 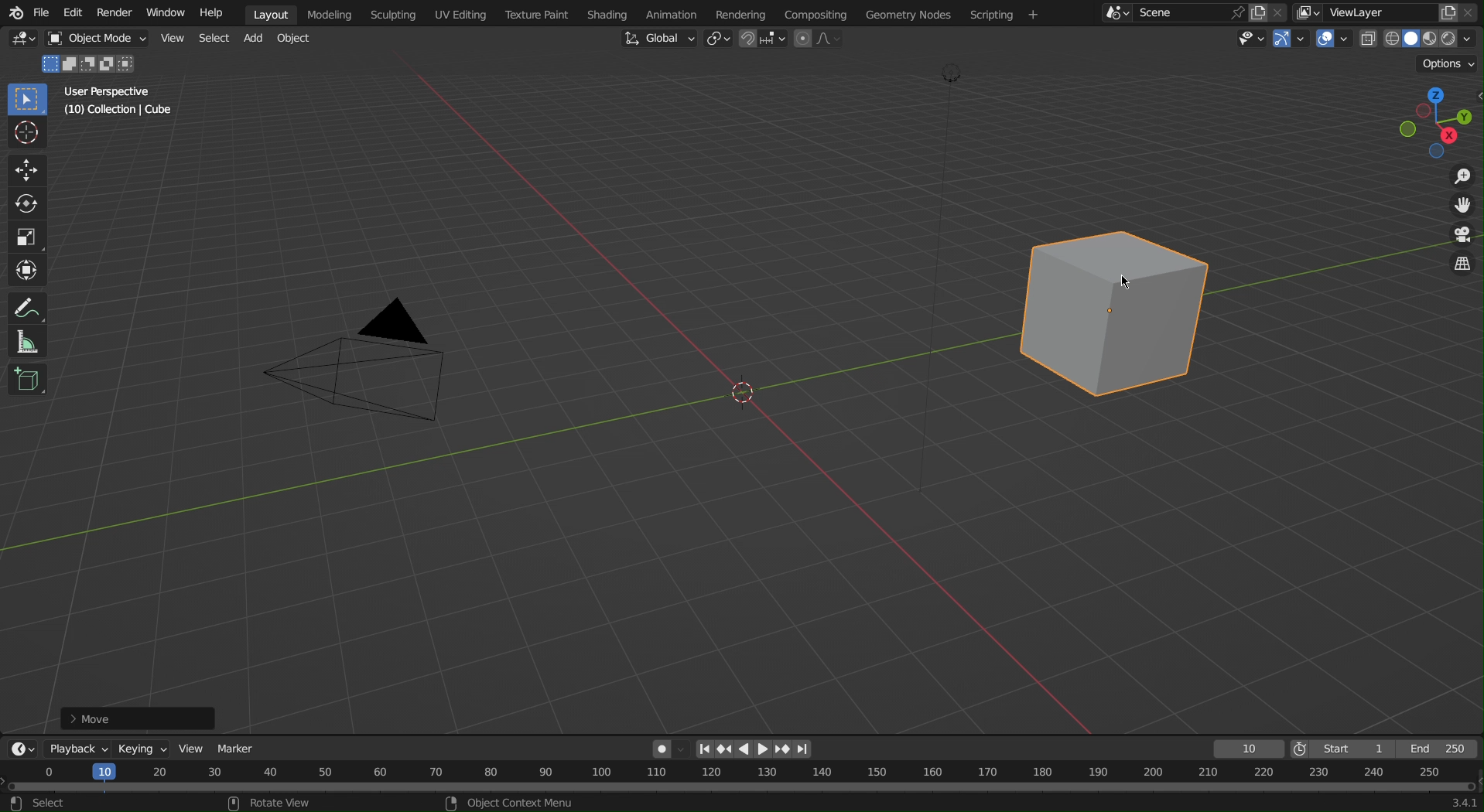 What do you see at coordinates (28, 135) in the screenshot?
I see `Cursor` at bounding box center [28, 135].